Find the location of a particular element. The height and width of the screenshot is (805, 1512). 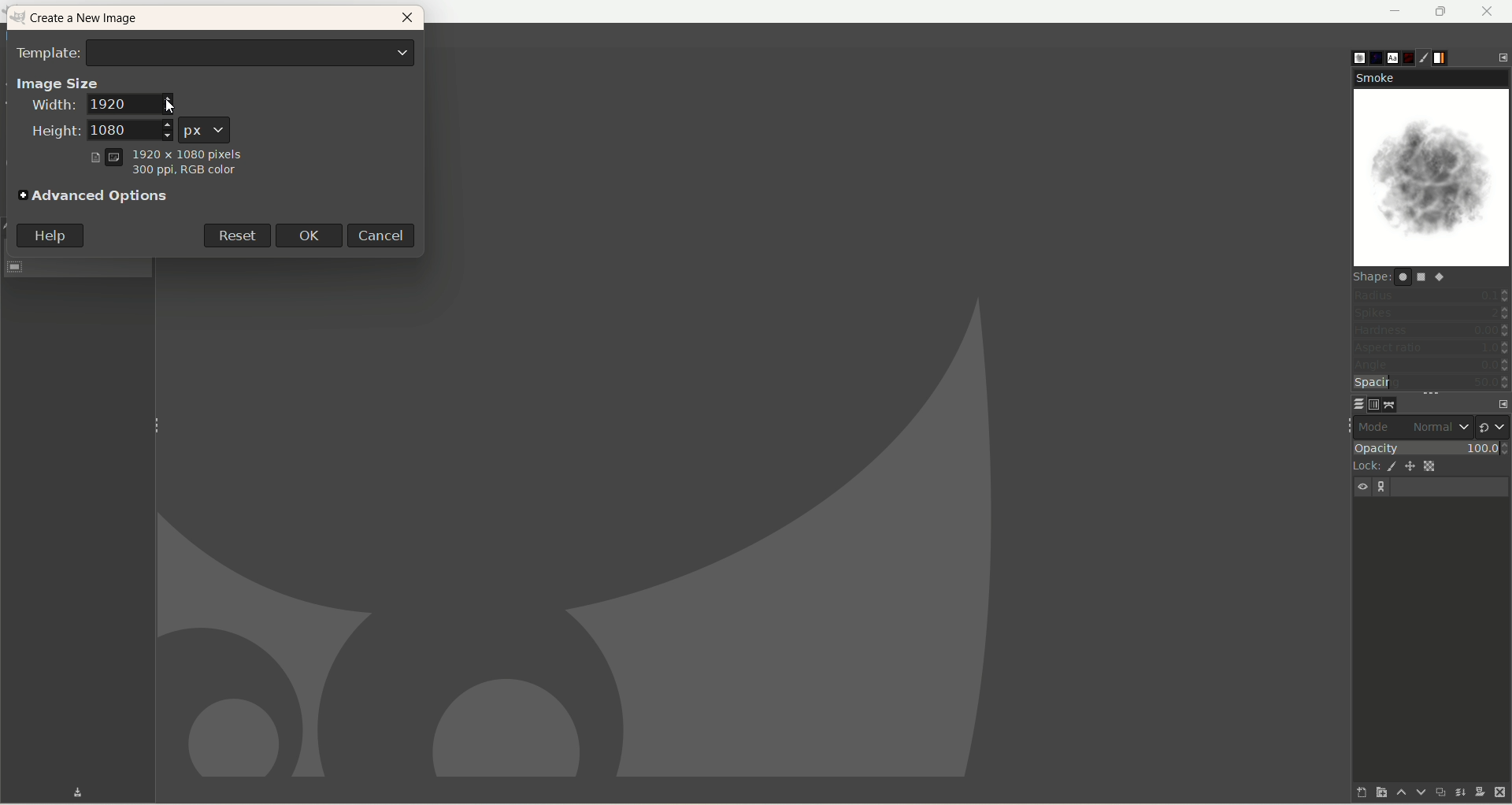

close is located at coordinates (1488, 11).